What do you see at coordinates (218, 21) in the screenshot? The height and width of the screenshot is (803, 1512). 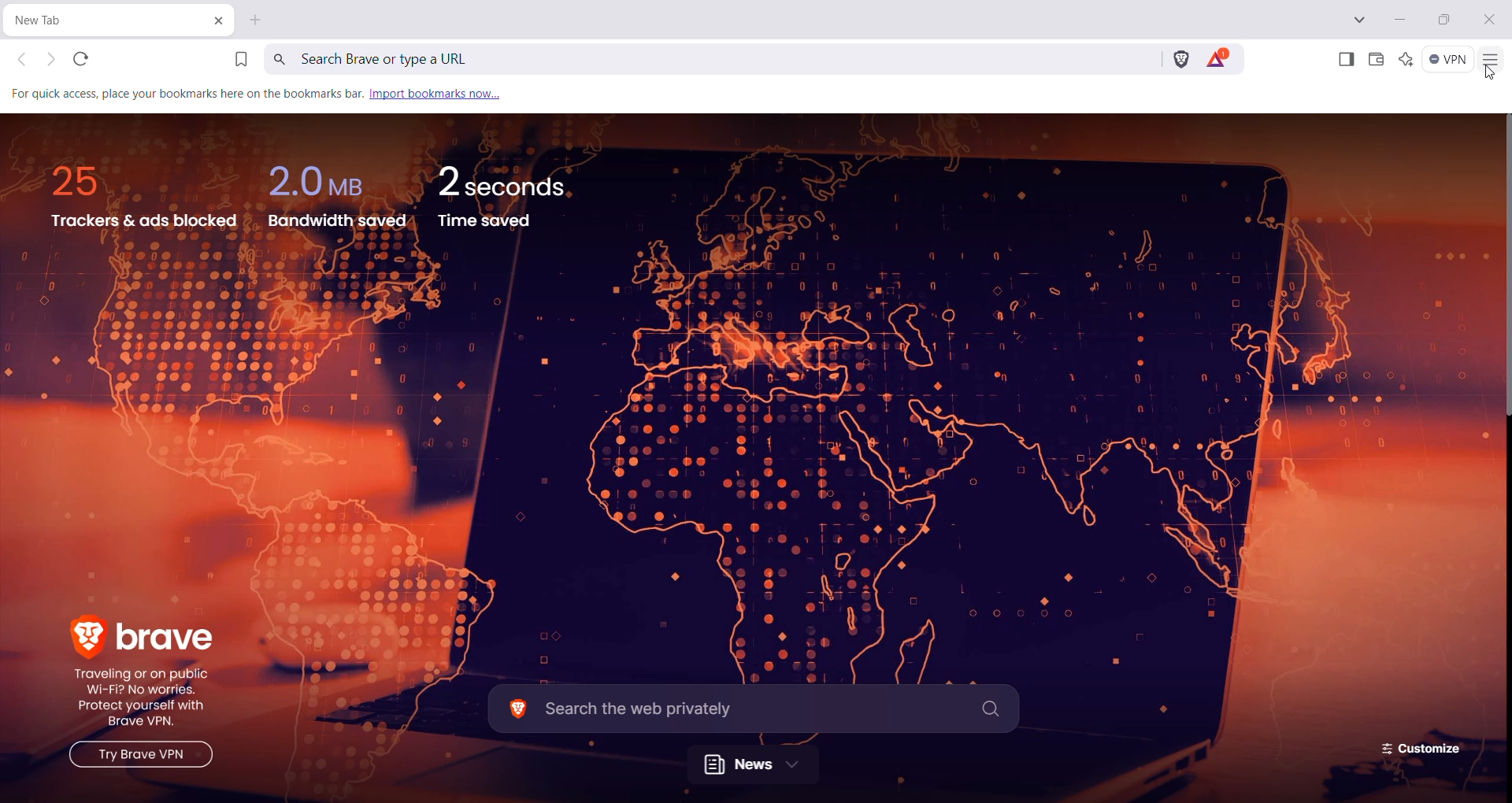 I see `Close Current tab` at bounding box center [218, 21].